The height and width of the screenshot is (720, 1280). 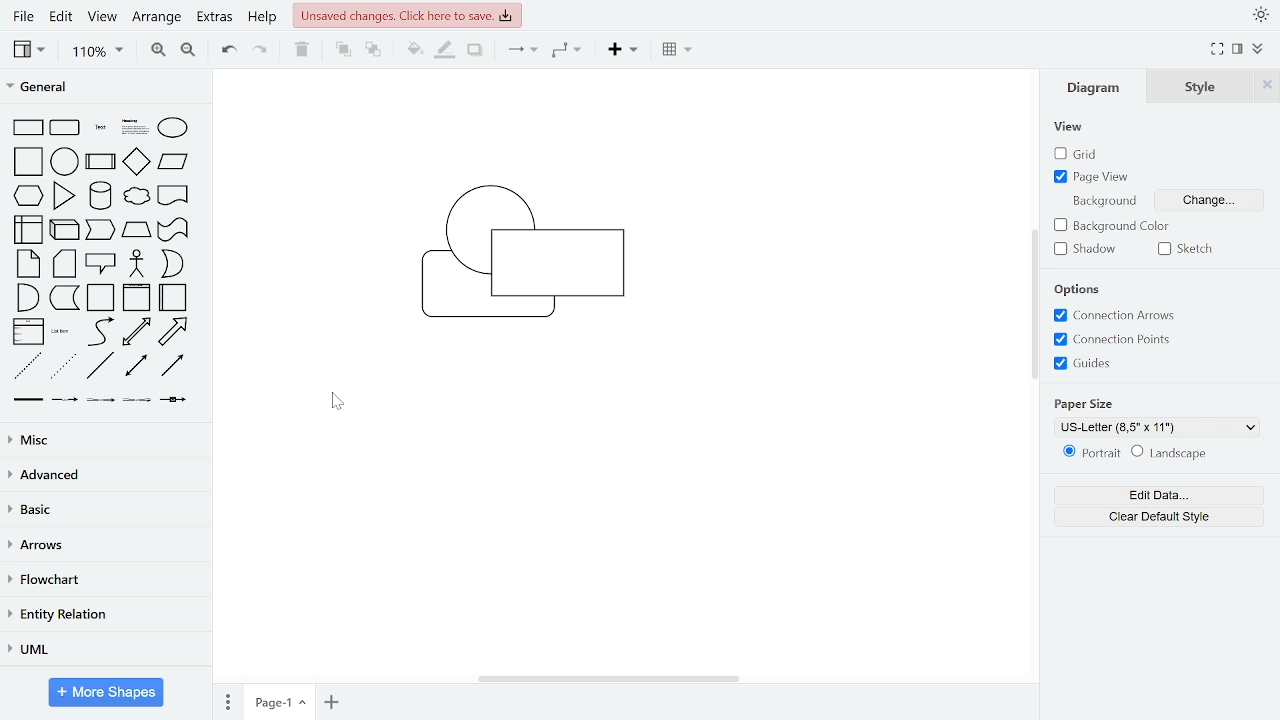 What do you see at coordinates (66, 263) in the screenshot?
I see `card` at bounding box center [66, 263].